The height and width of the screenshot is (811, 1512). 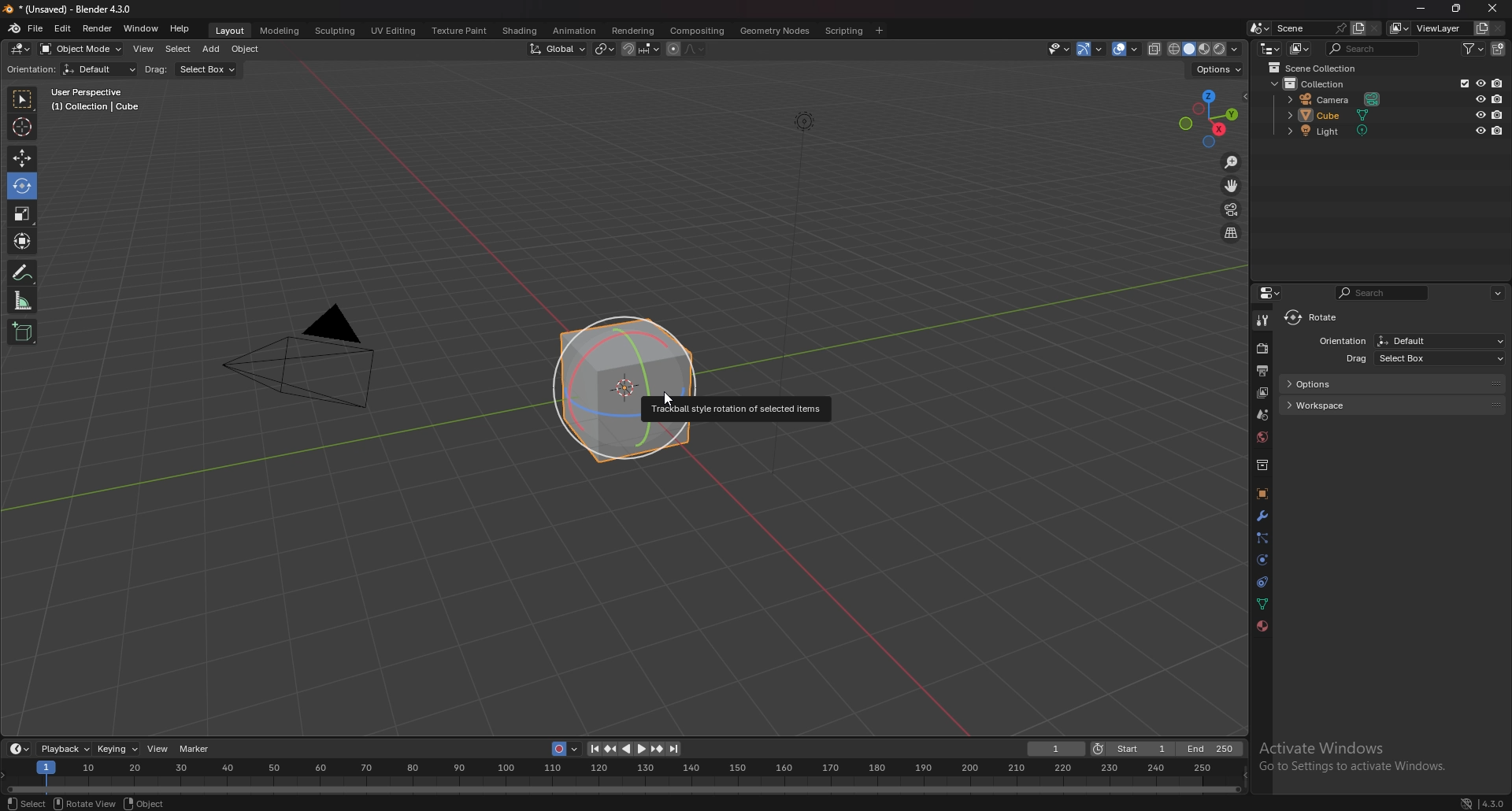 What do you see at coordinates (1262, 437) in the screenshot?
I see `world` at bounding box center [1262, 437].